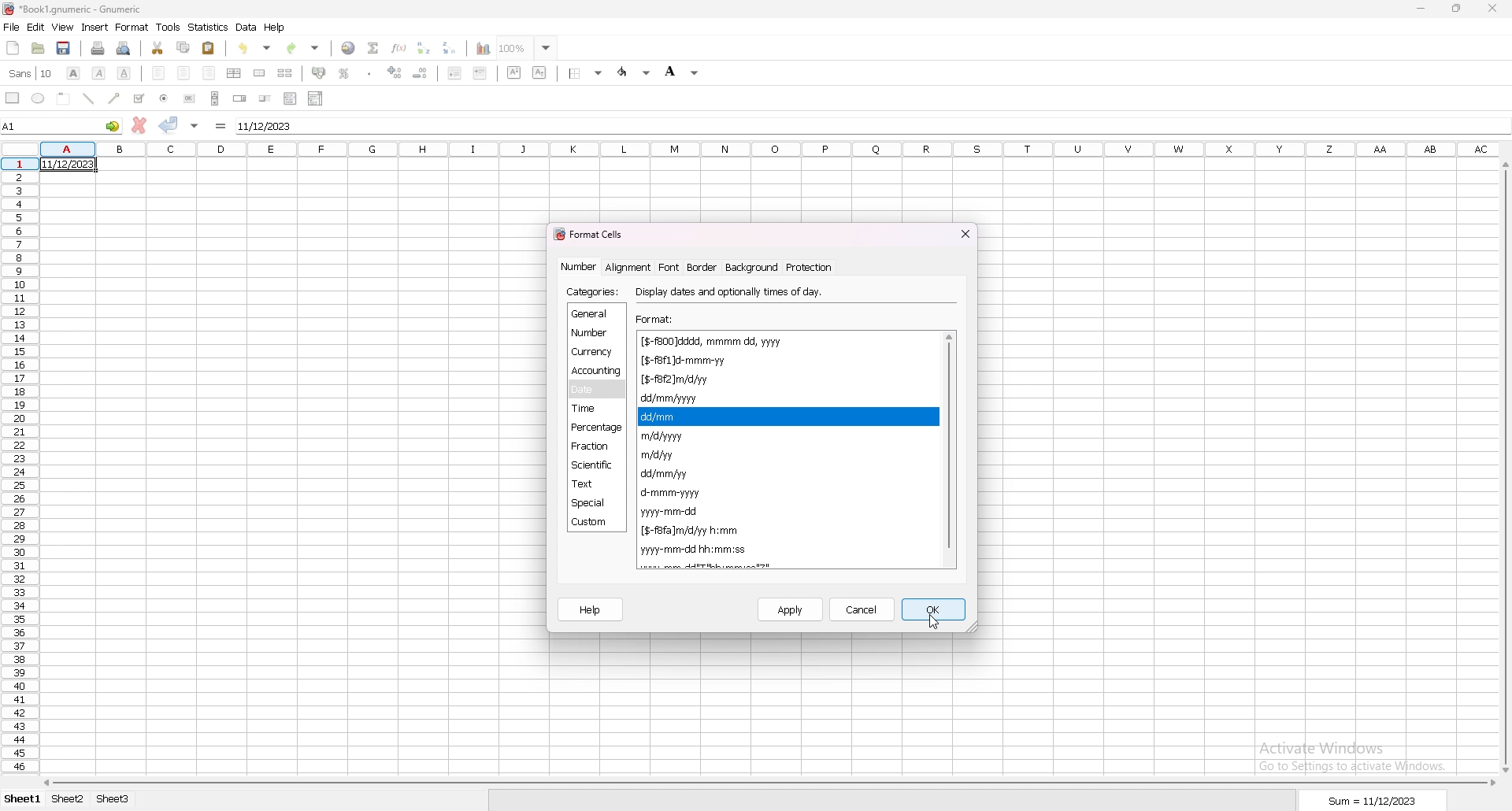 The image size is (1512, 811). Describe the element at coordinates (264, 99) in the screenshot. I see `slider` at that location.